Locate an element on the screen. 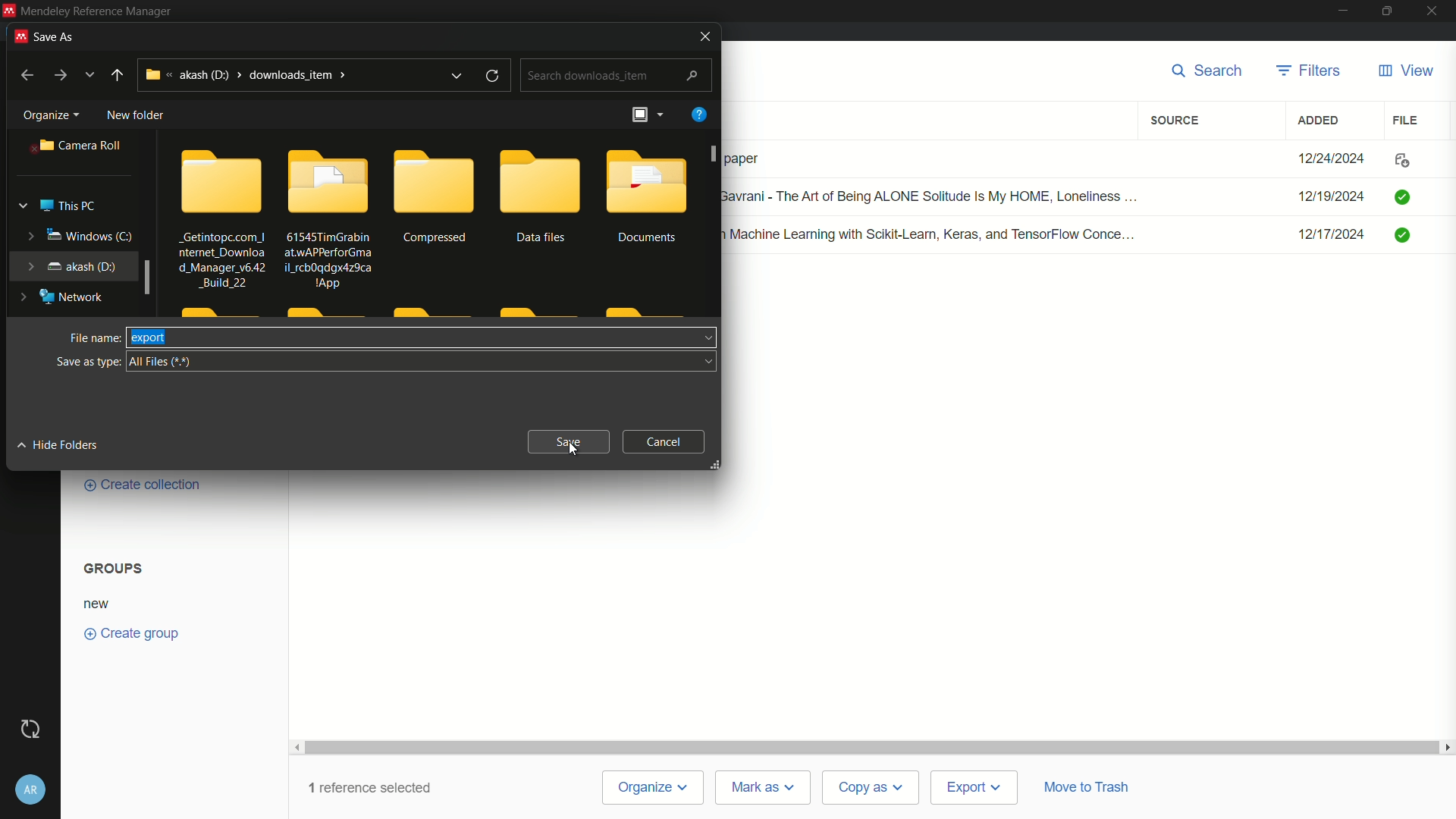 The width and height of the screenshot is (1456, 819). save is located at coordinates (569, 441).